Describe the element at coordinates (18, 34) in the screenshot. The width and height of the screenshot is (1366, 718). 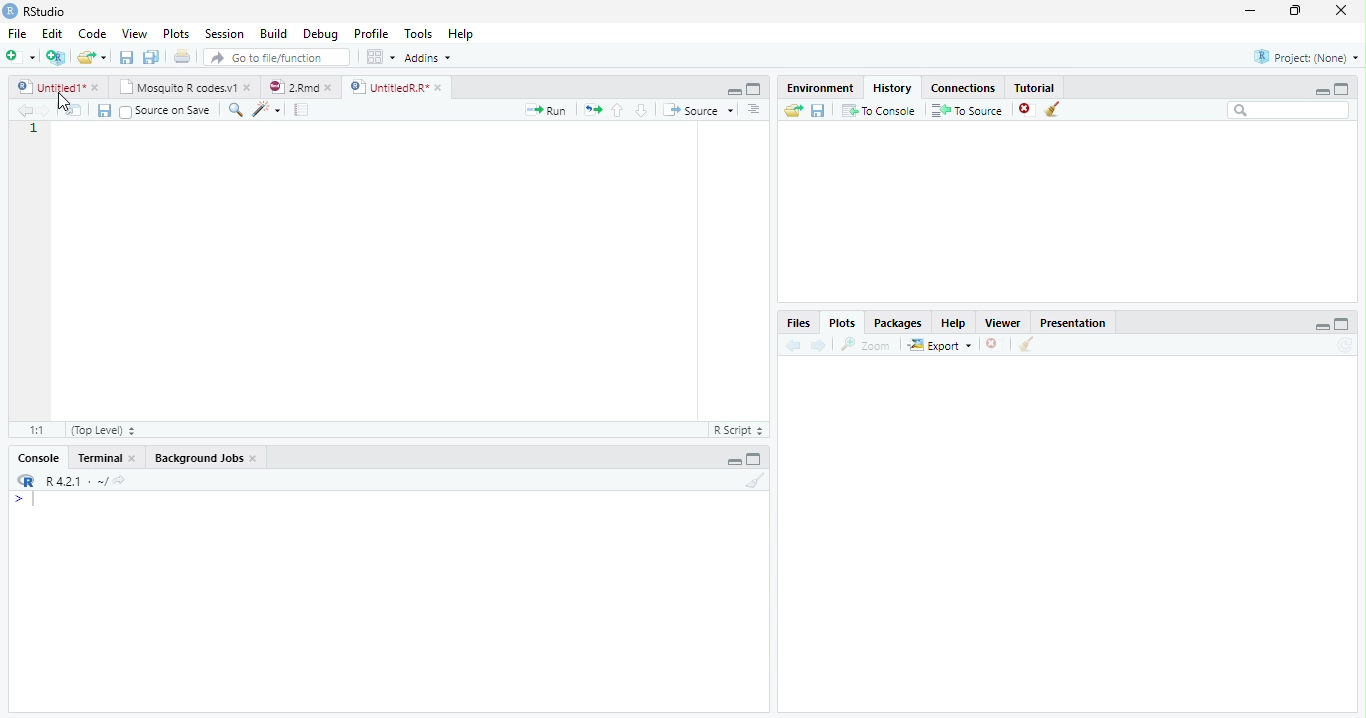
I see `File` at that location.